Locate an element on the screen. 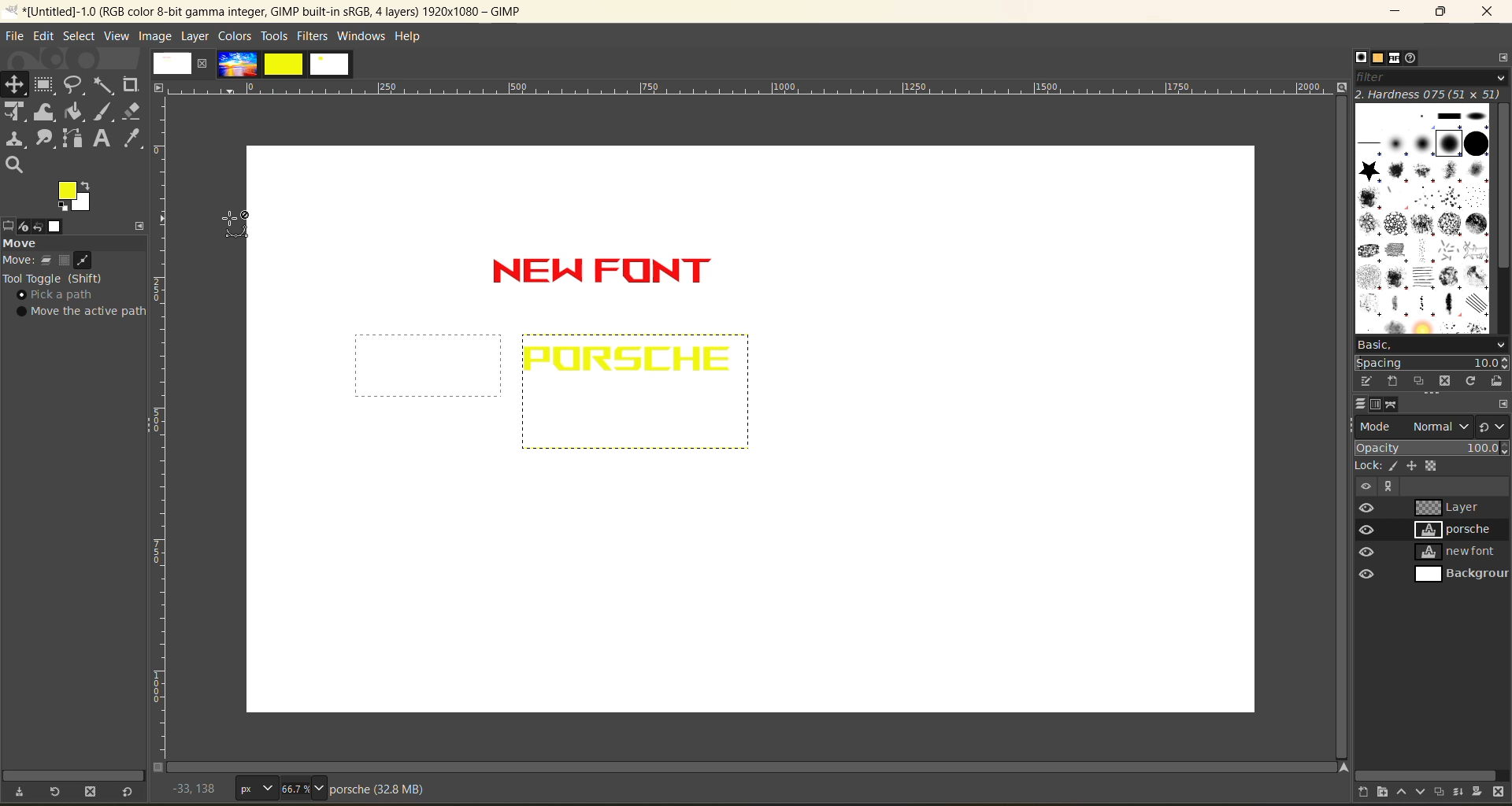 This screenshot has height=806, width=1512. opacity is located at coordinates (1430, 447).